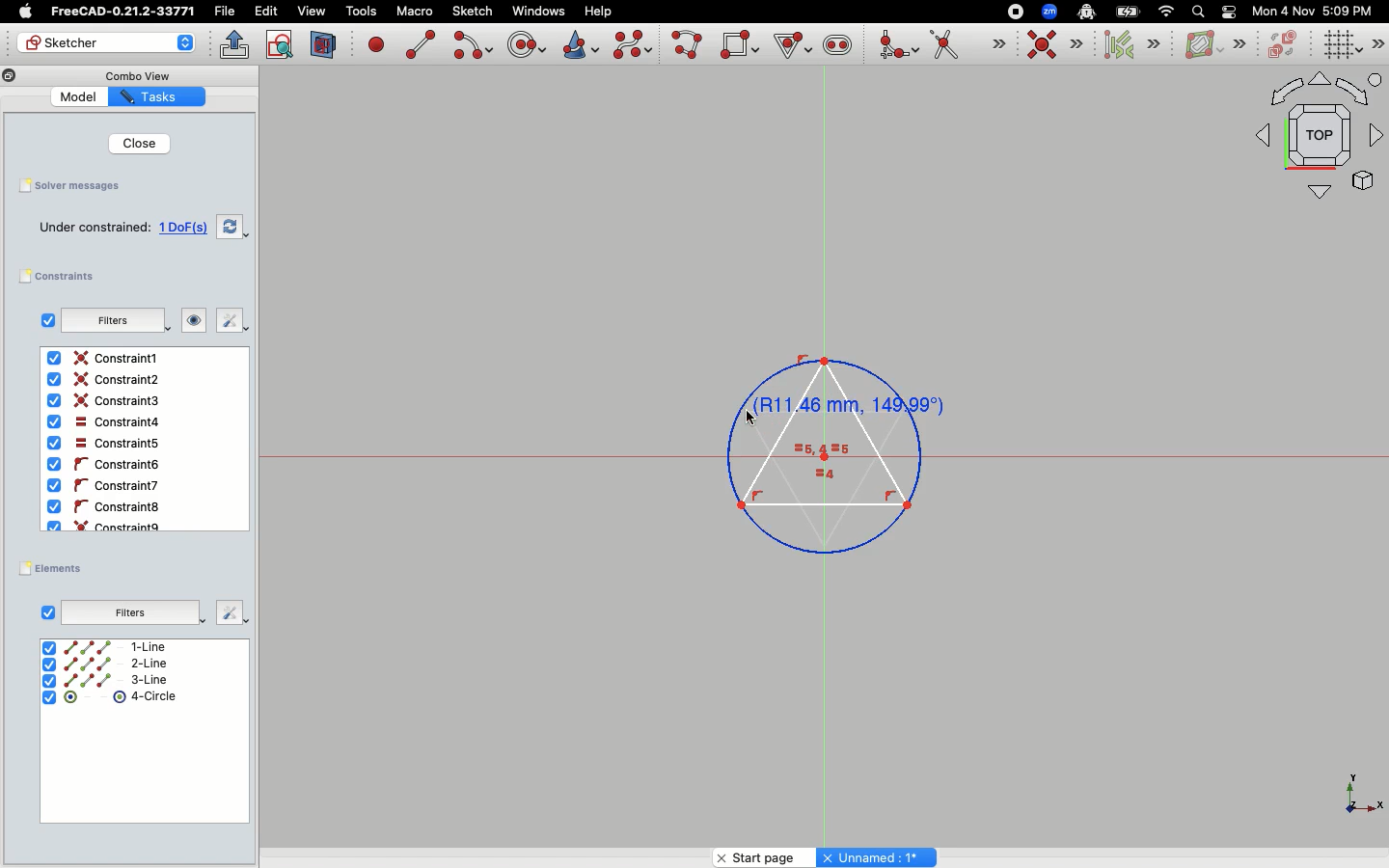 The width and height of the screenshot is (1389, 868). Describe the element at coordinates (114, 647) in the screenshot. I see `1-Line` at that location.